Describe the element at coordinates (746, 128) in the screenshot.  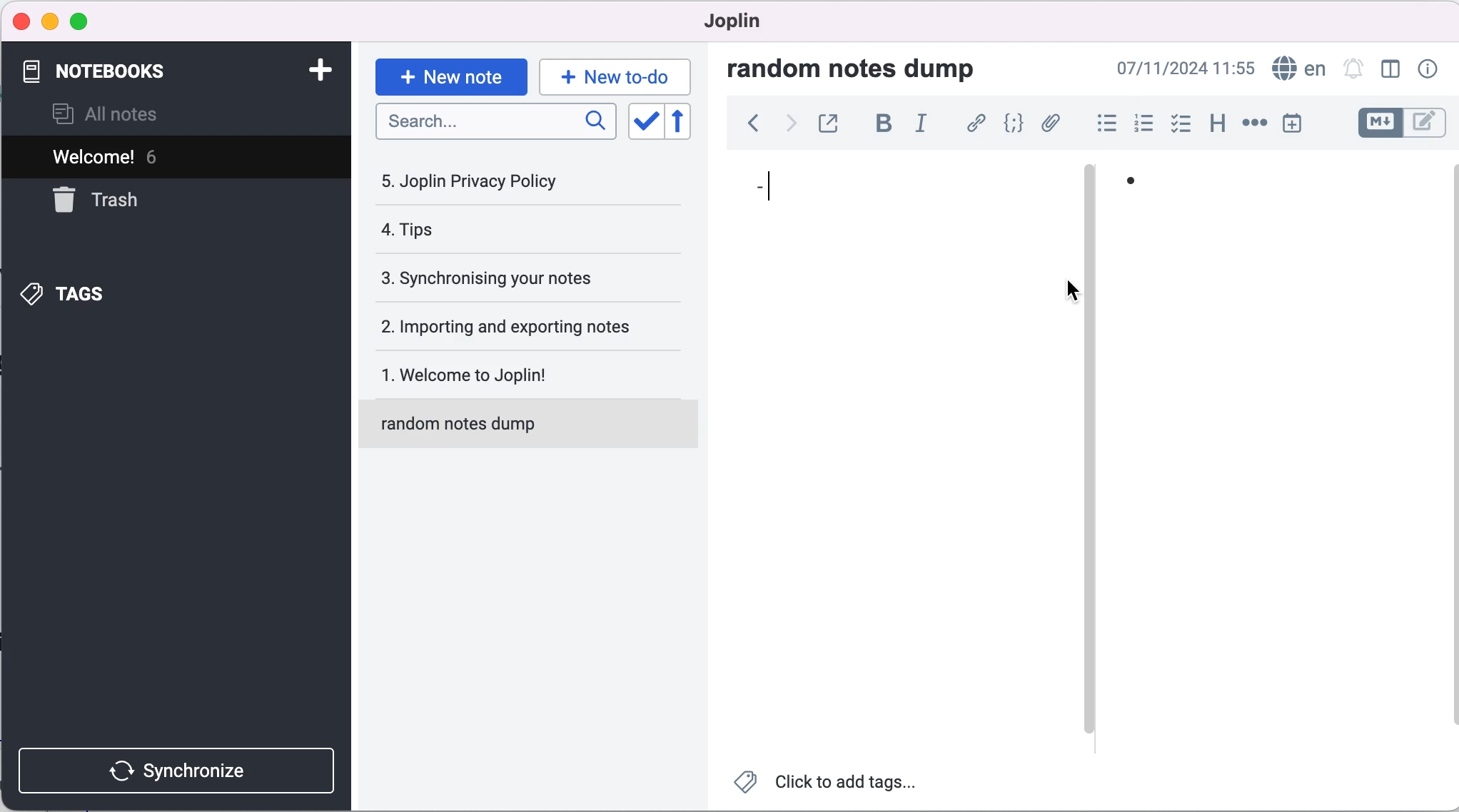
I see `back` at that location.